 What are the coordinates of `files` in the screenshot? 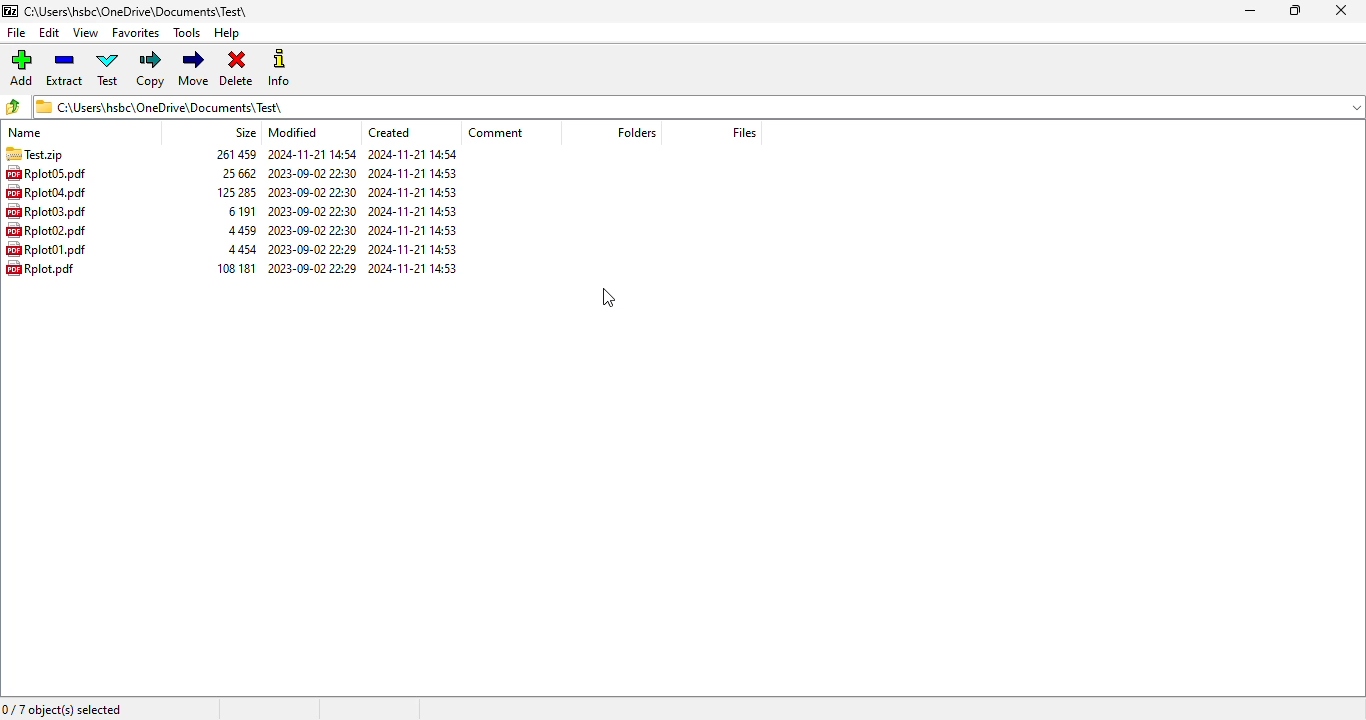 It's located at (744, 132).